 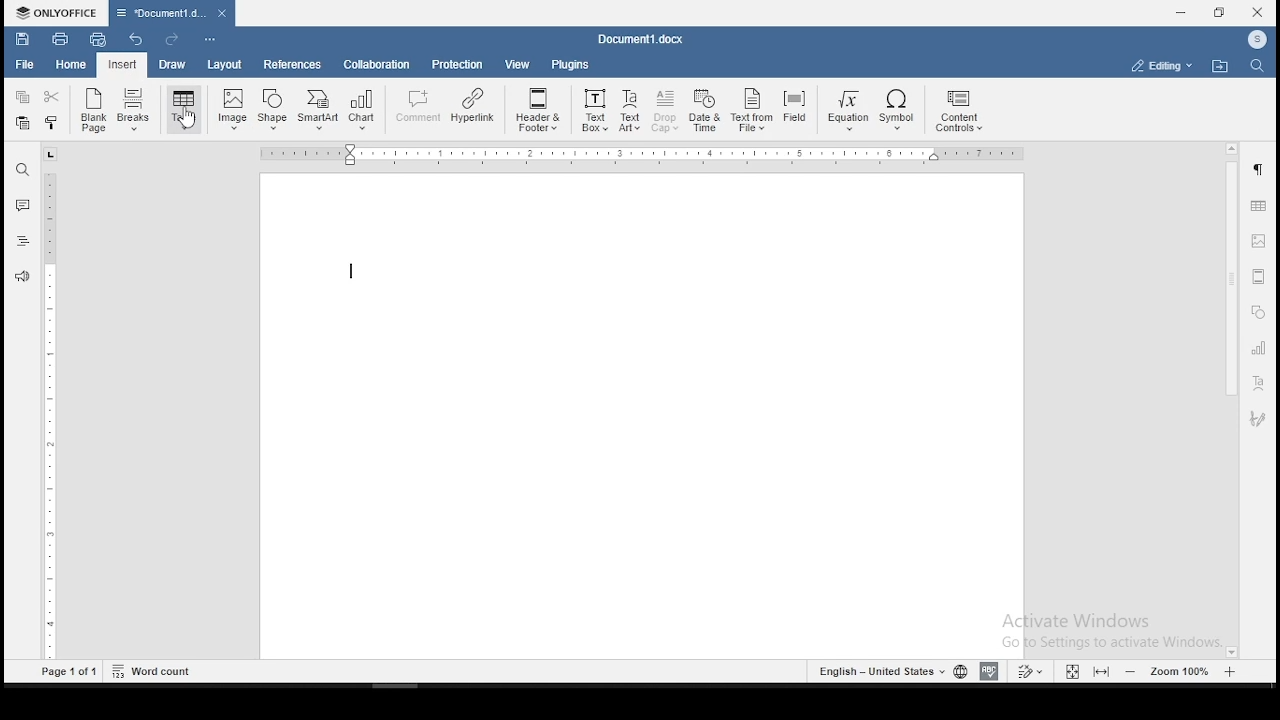 What do you see at coordinates (900, 112) in the screenshot?
I see `Symbol` at bounding box center [900, 112].